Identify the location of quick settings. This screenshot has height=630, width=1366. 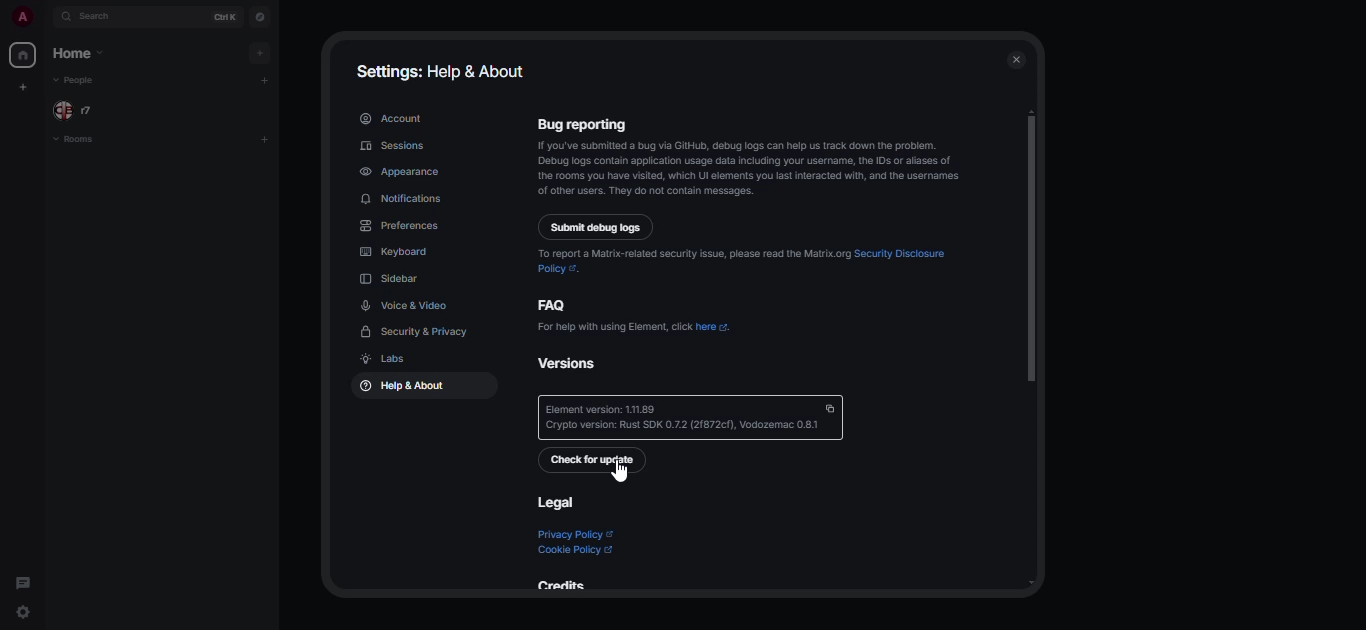
(22, 613).